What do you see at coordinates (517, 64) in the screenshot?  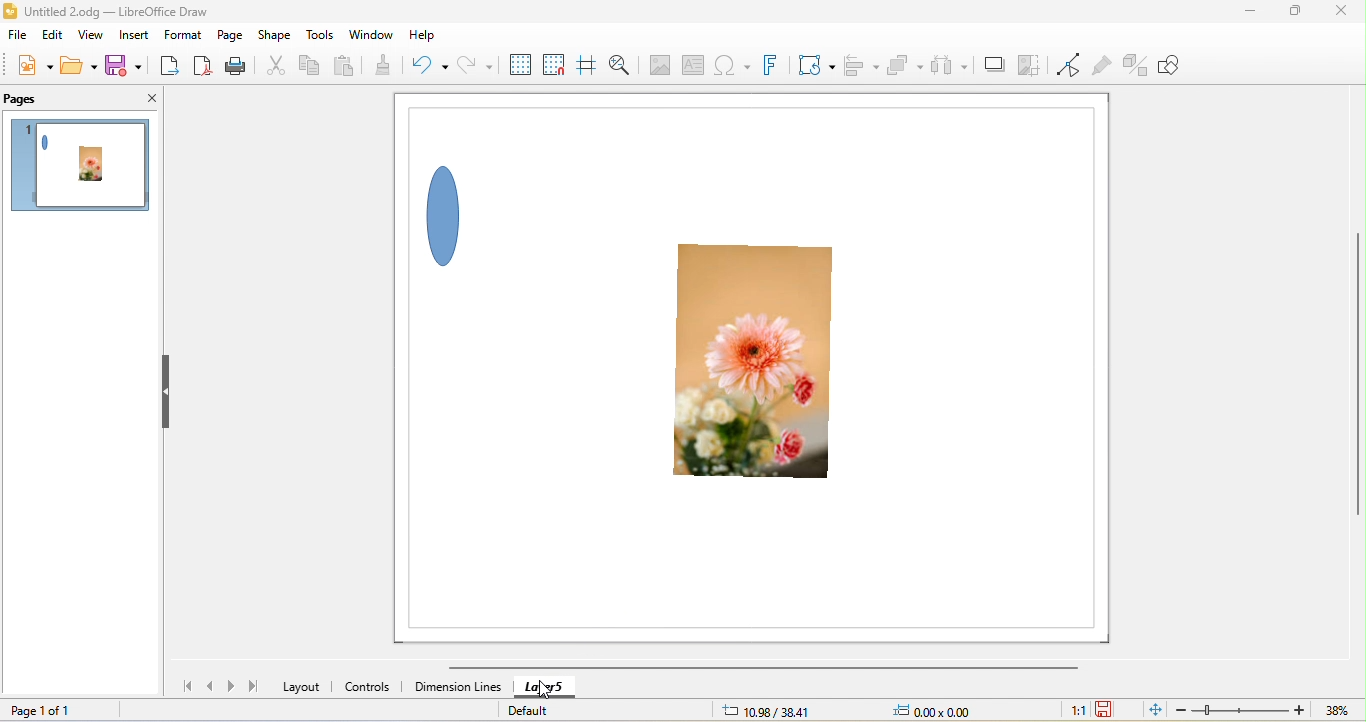 I see `display grid` at bounding box center [517, 64].